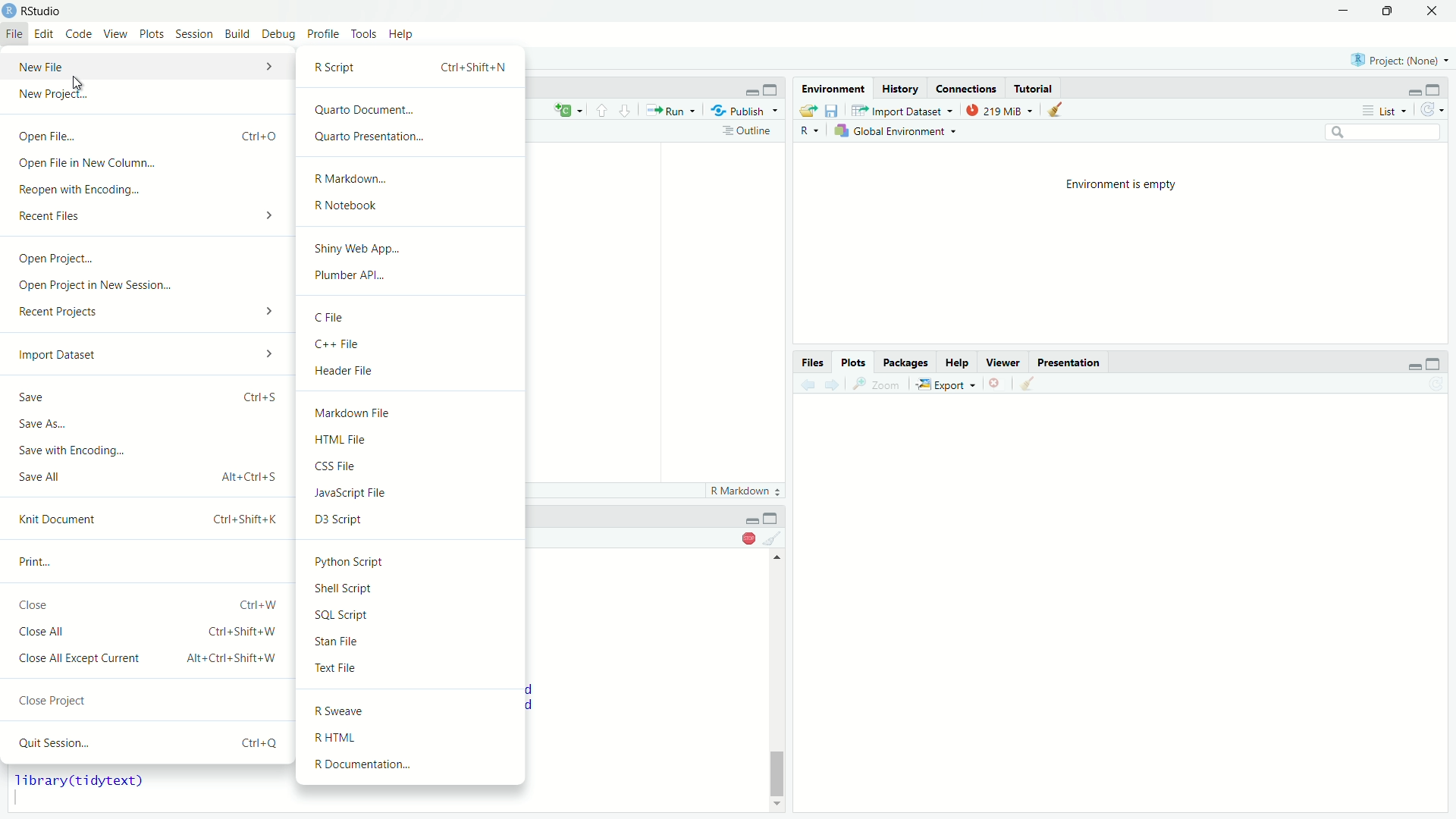 Image resolution: width=1456 pixels, height=819 pixels. I want to click on Cursor, so click(78, 82).